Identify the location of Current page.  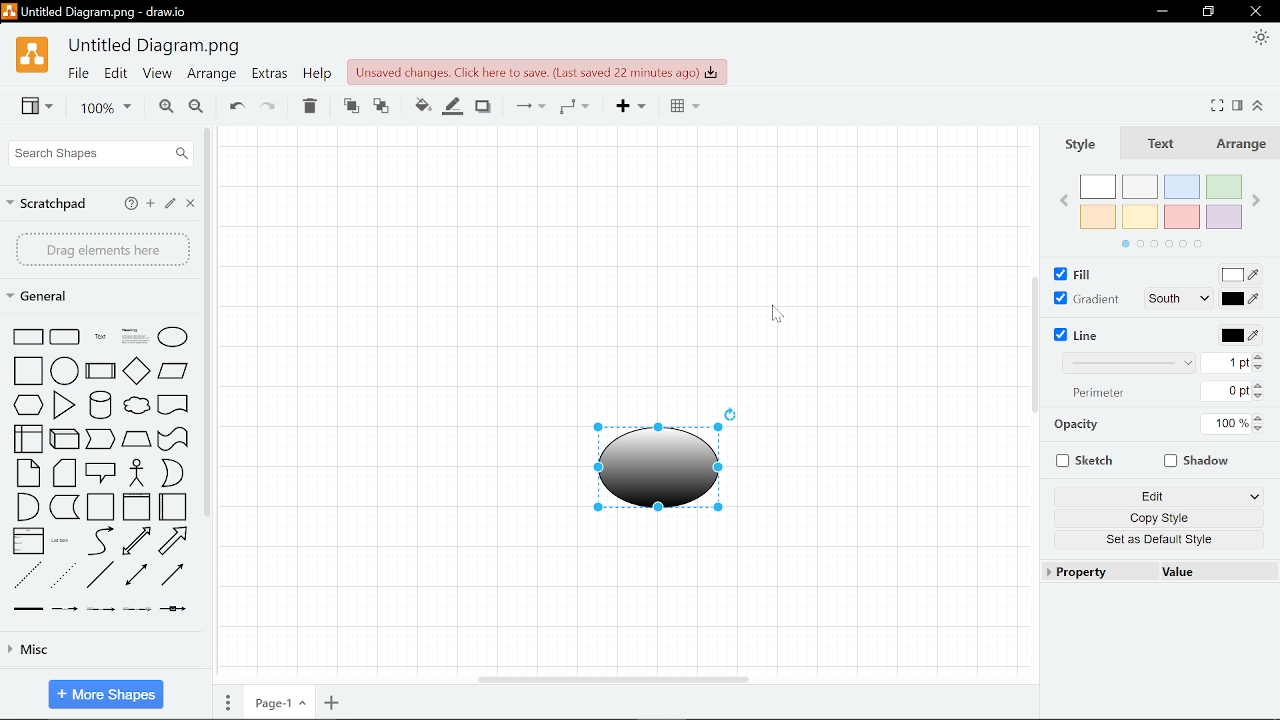
(277, 701).